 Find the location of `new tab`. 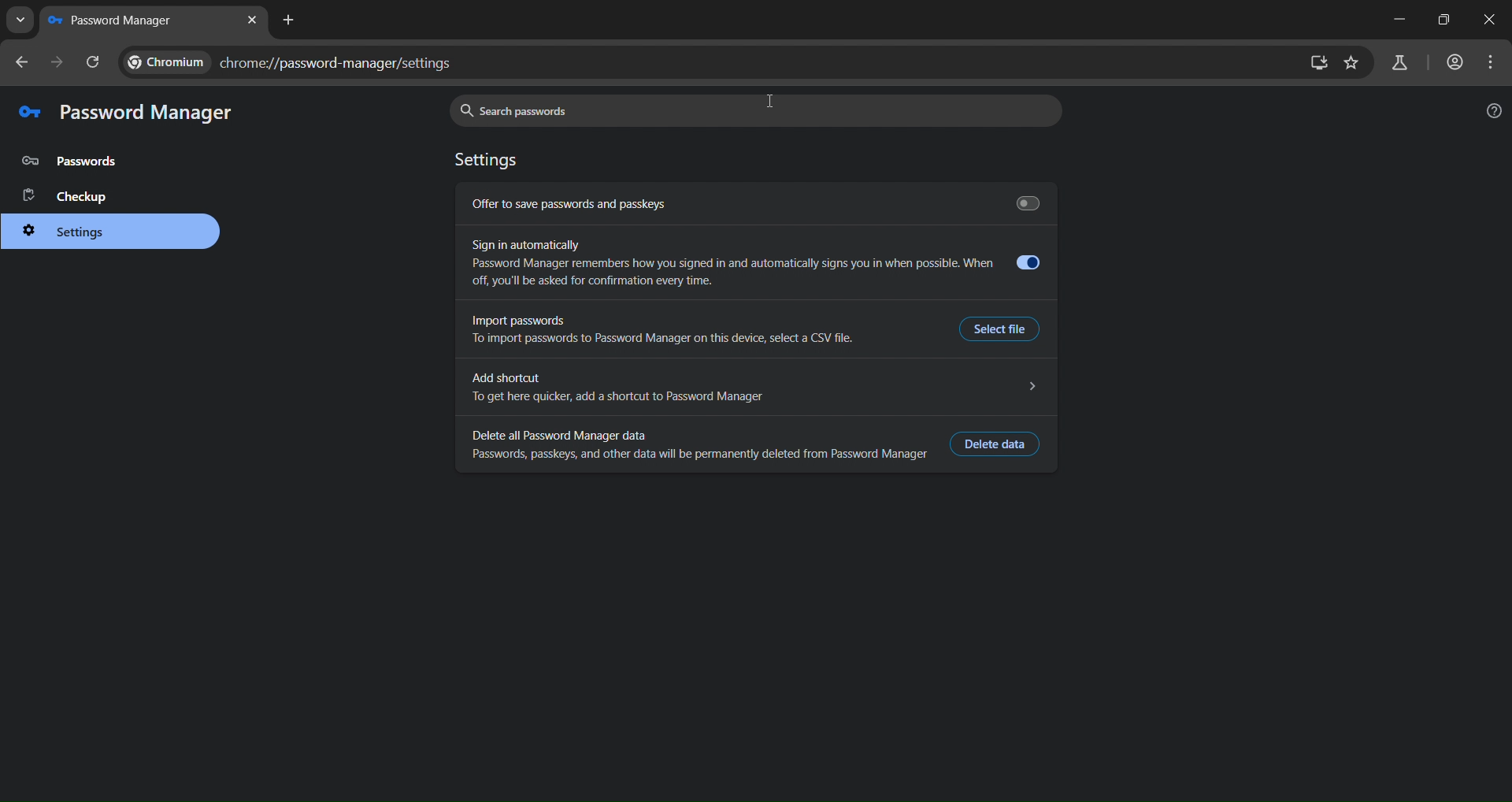

new tab is located at coordinates (287, 24).